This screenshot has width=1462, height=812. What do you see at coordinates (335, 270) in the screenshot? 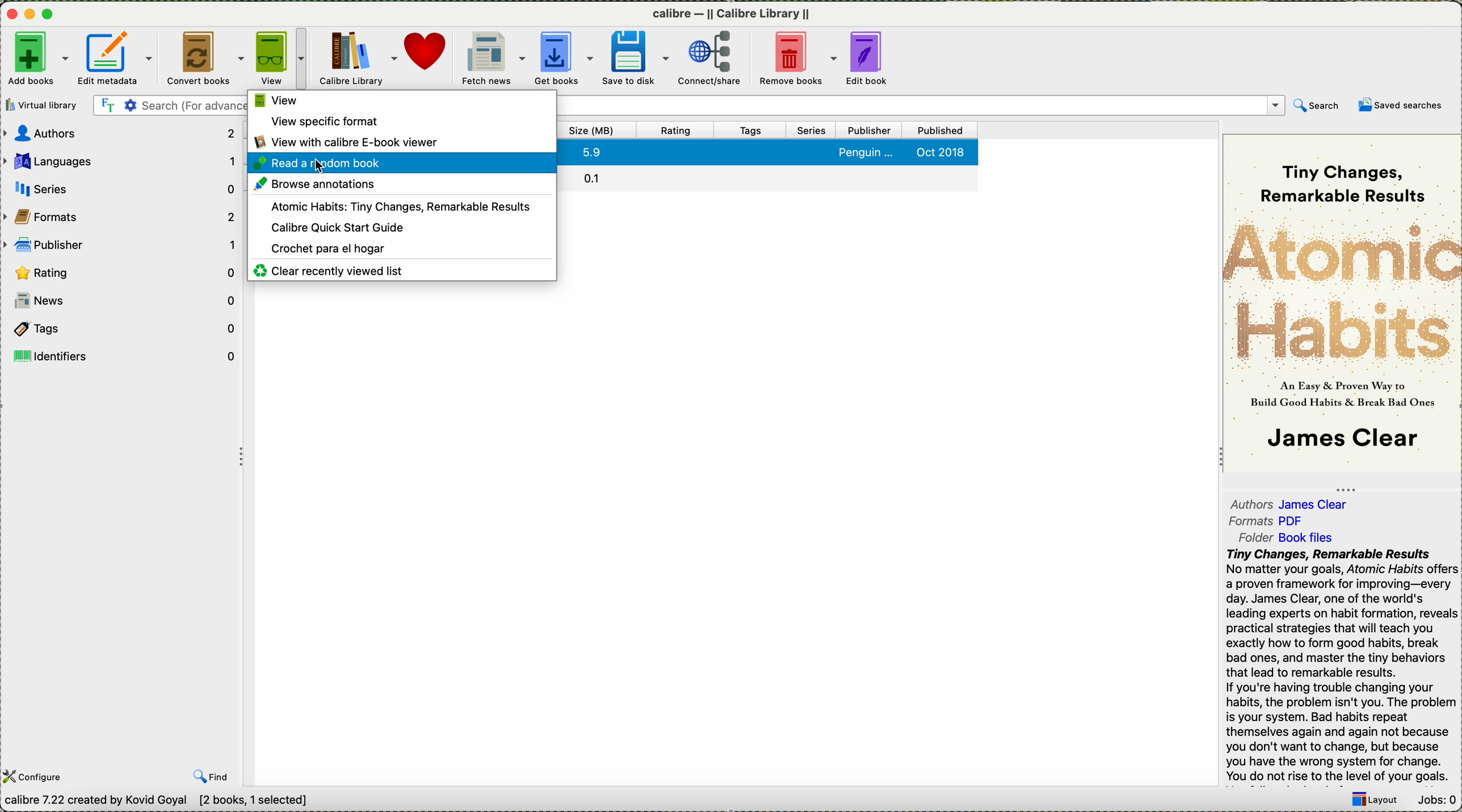
I see `clear recently viewed list` at bounding box center [335, 270].